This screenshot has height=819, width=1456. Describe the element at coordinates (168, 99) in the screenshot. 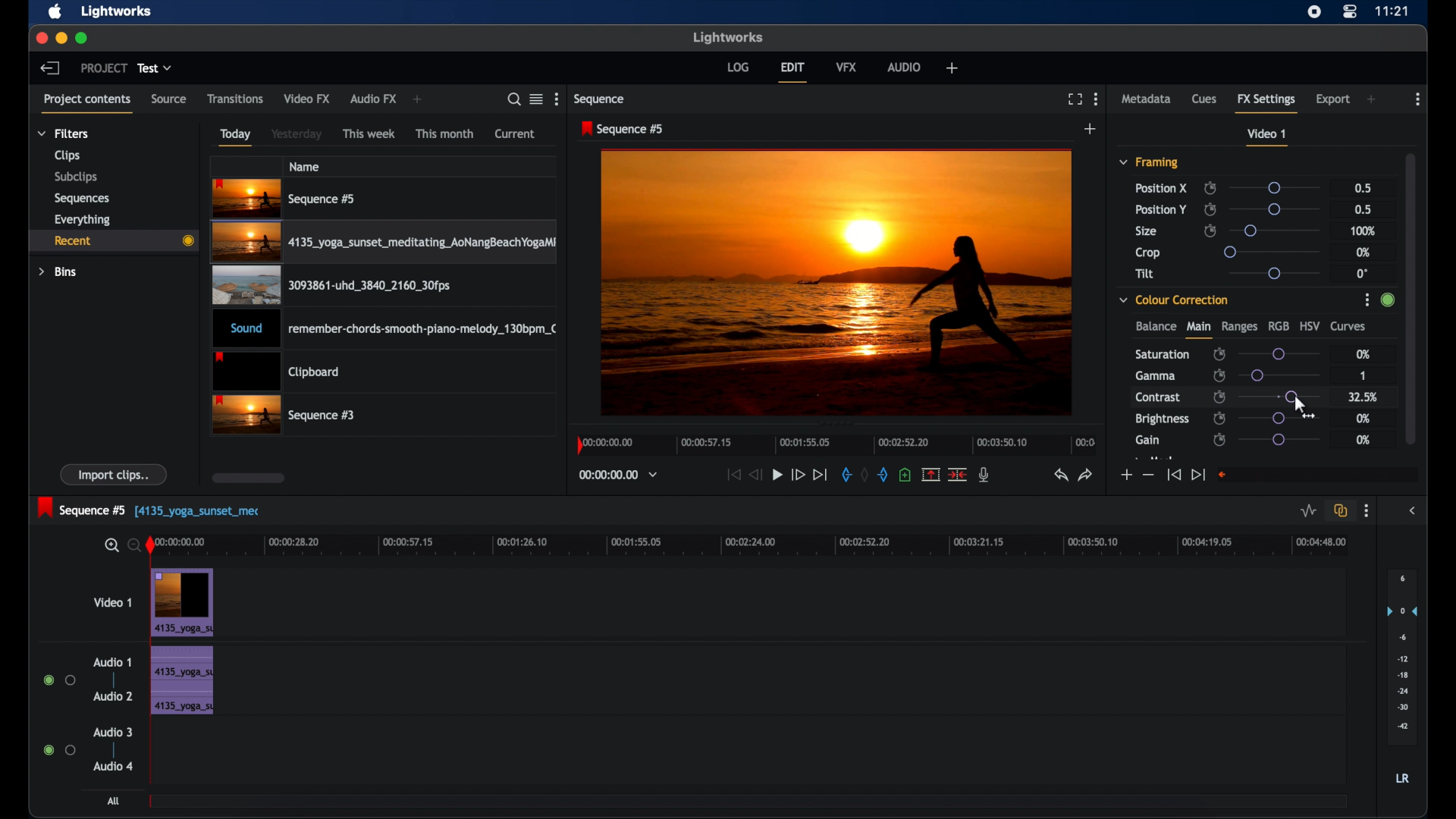

I see `source` at that location.